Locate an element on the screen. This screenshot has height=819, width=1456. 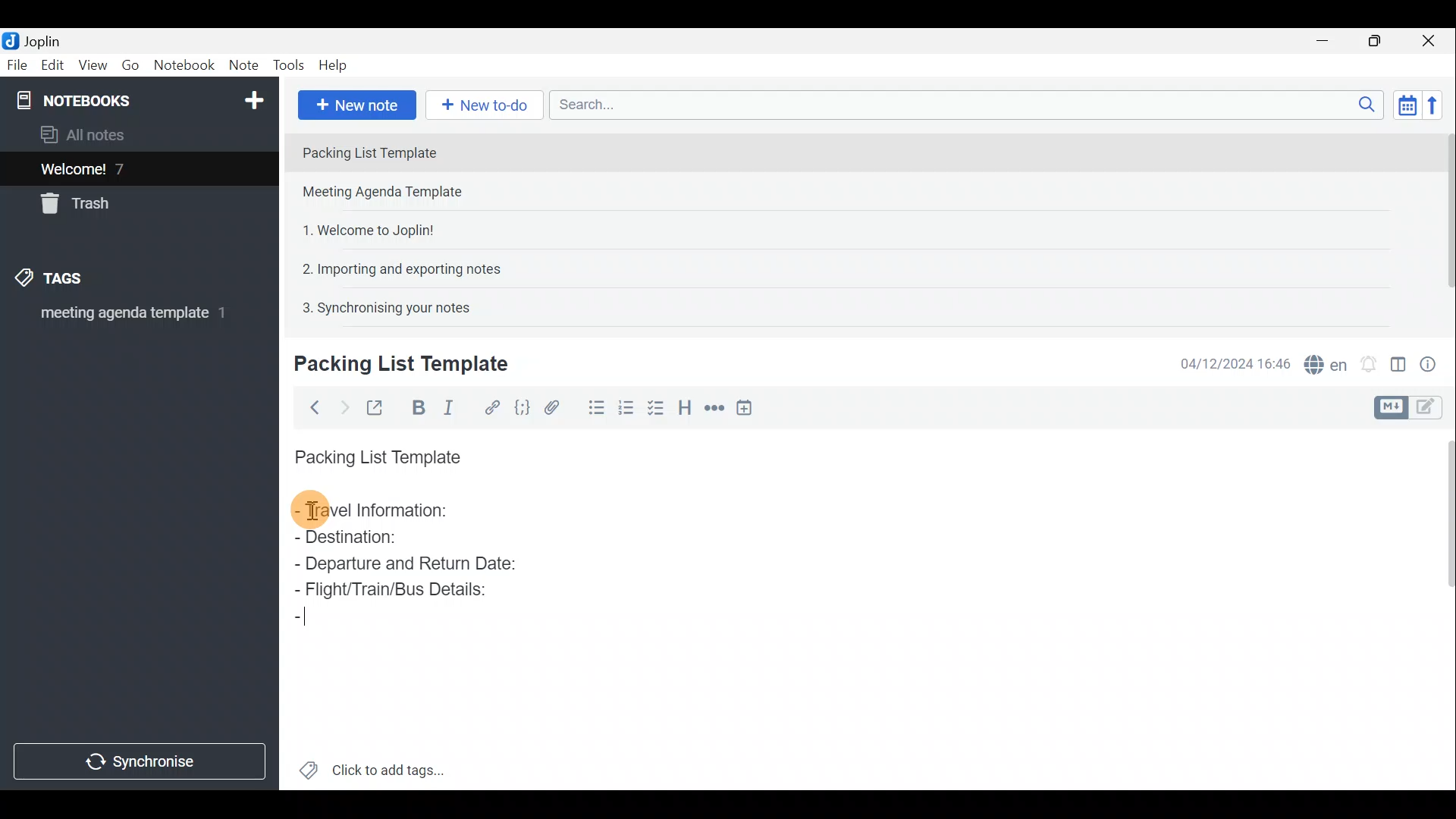
Click to add tags is located at coordinates (372, 766).